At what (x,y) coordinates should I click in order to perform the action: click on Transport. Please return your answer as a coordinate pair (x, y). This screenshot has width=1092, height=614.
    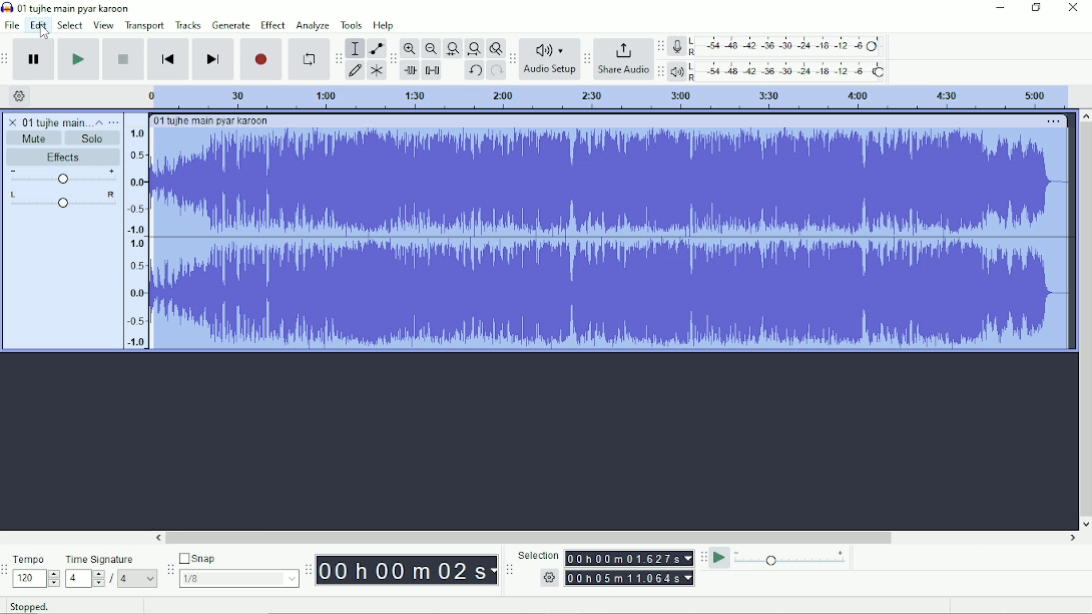
    Looking at the image, I should click on (145, 26).